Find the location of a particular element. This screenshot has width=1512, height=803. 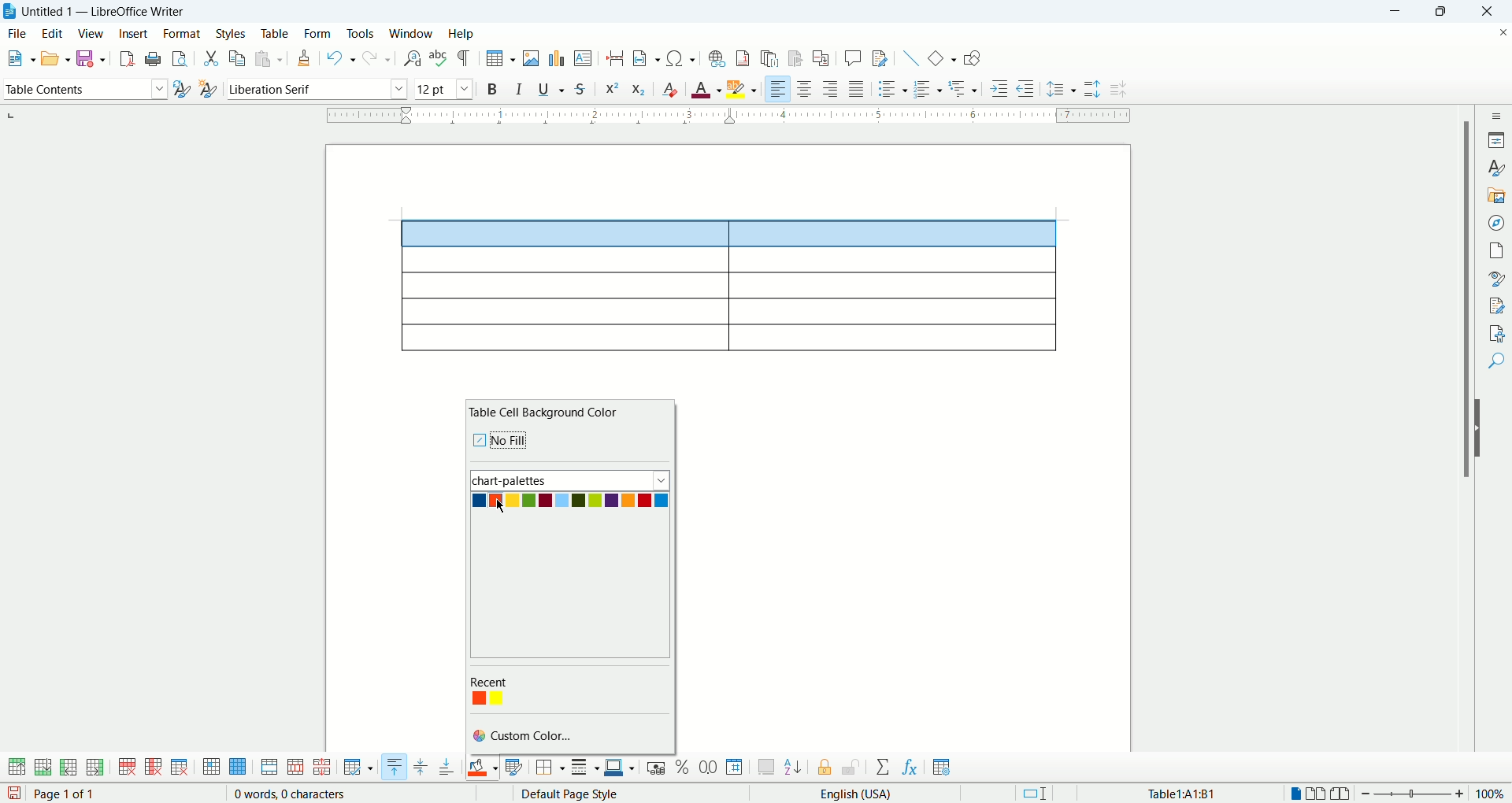

number format is located at coordinates (736, 766).